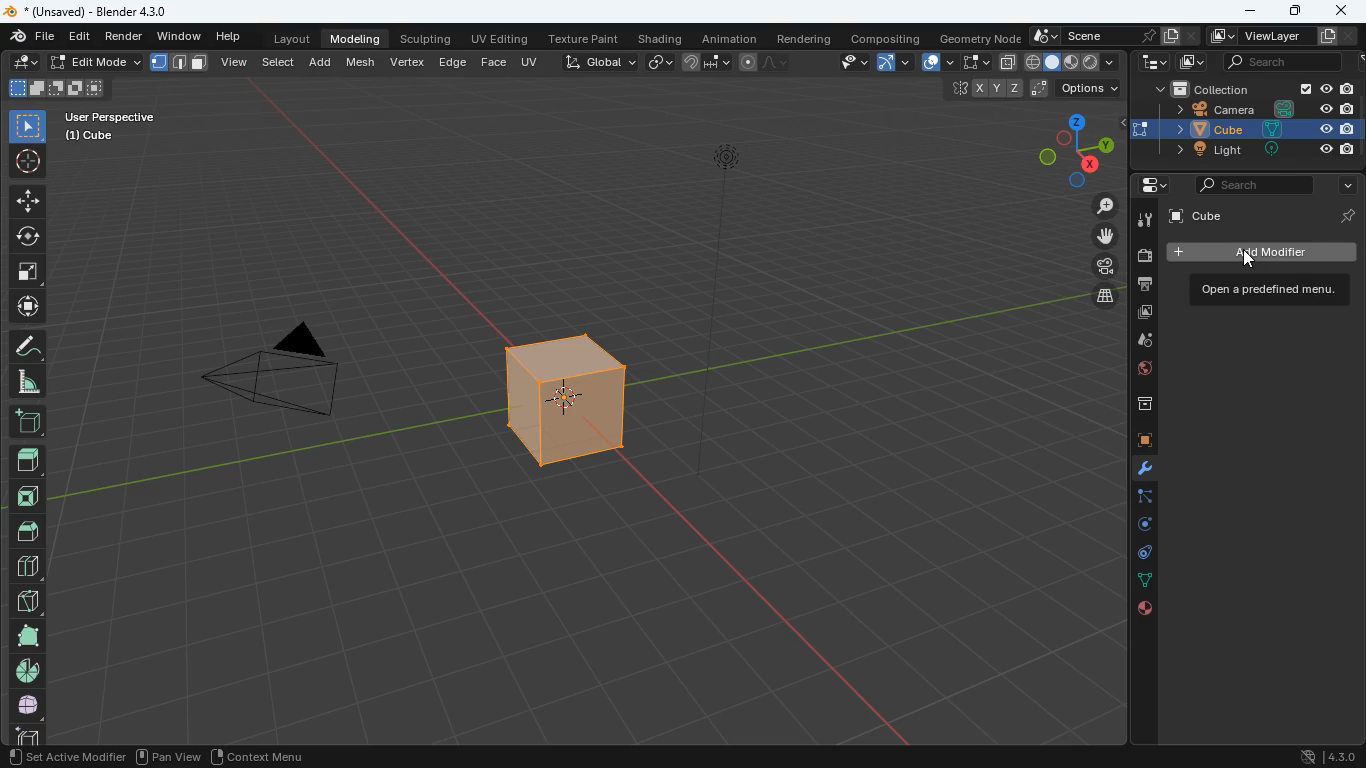 Image resolution: width=1366 pixels, height=768 pixels. Describe the element at coordinates (26, 383) in the screenshot. I see `angle` at that location.